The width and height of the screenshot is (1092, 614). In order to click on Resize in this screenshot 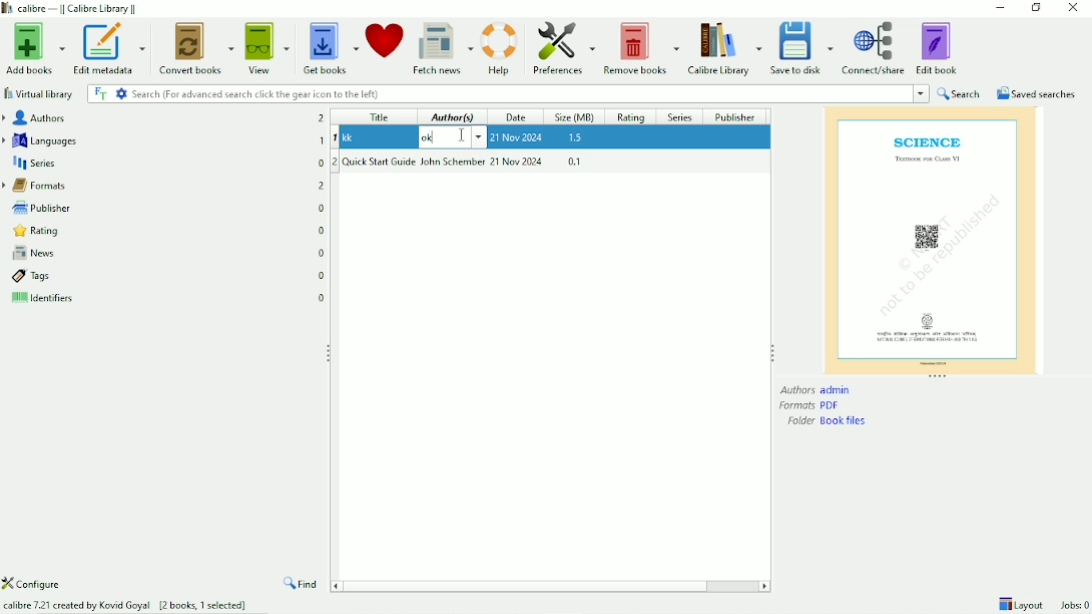, I will do `click(326, 353)`.